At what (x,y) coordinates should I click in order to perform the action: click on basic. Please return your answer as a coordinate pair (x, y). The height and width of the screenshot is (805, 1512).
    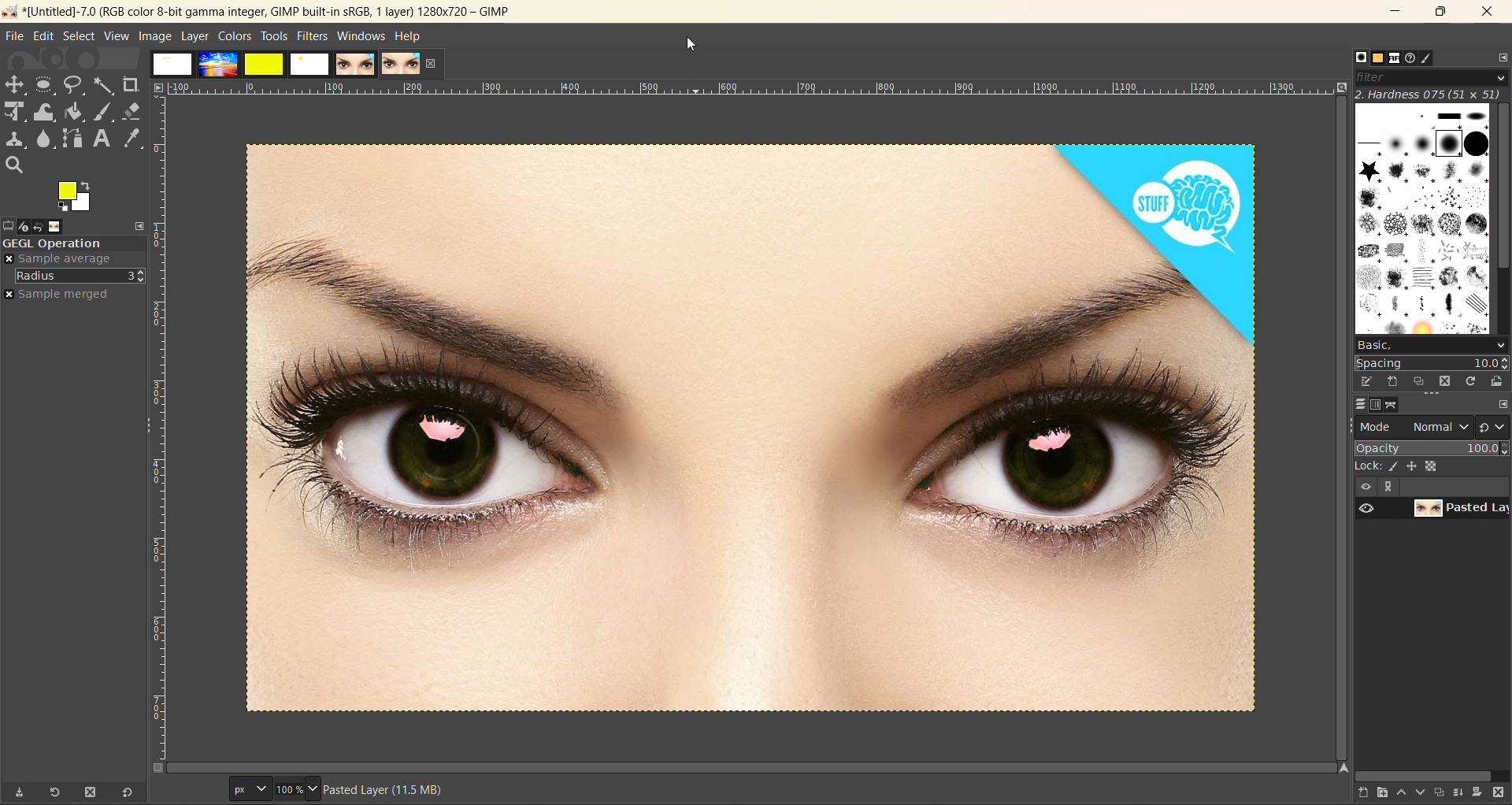
    Looking at the image, I should click on (1433, 347).